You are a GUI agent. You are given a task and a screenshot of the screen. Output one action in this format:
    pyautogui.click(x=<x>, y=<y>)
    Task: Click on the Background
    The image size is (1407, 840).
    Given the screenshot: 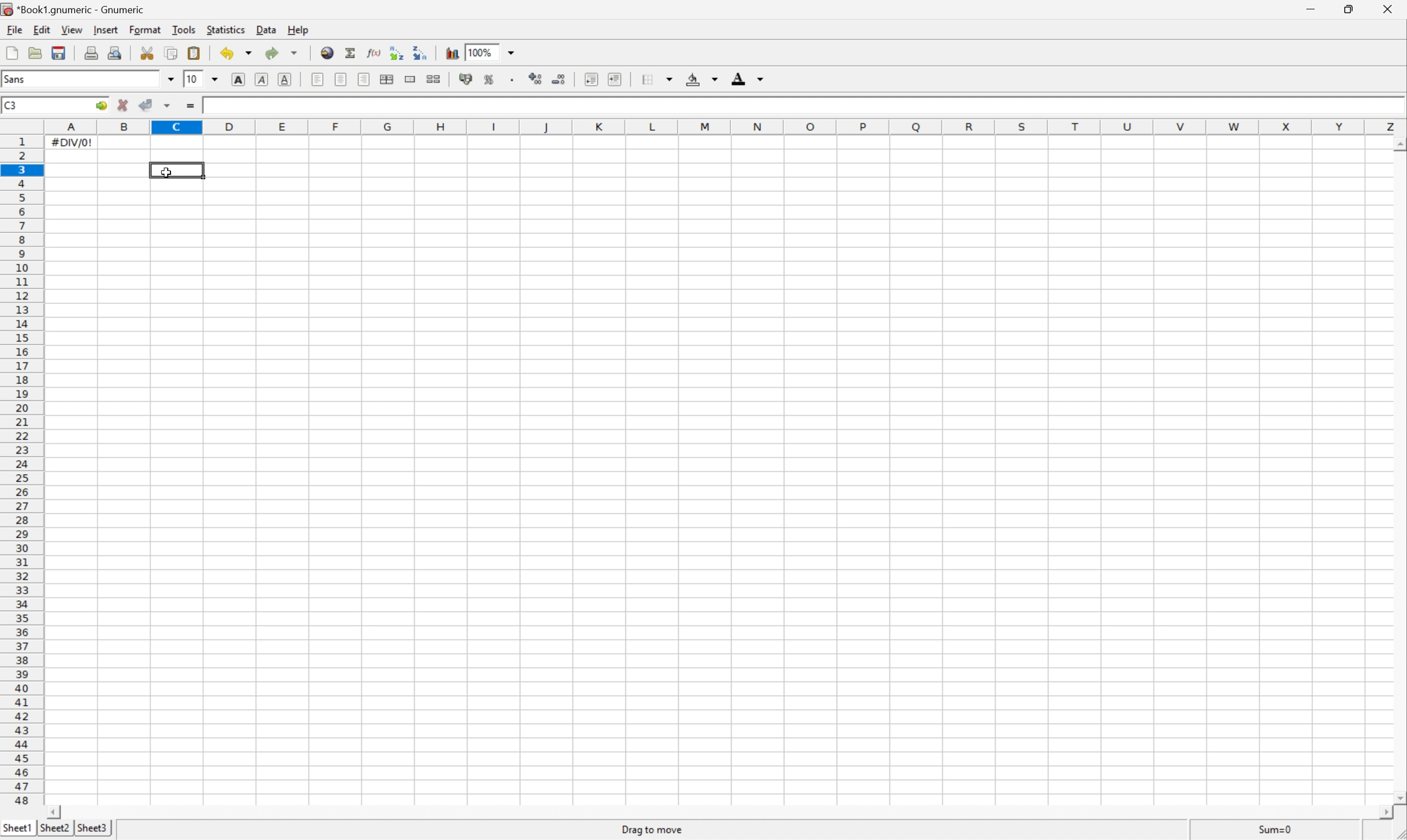 What is the action you would take?
    pyautogui.click(x=695, y=80)
    